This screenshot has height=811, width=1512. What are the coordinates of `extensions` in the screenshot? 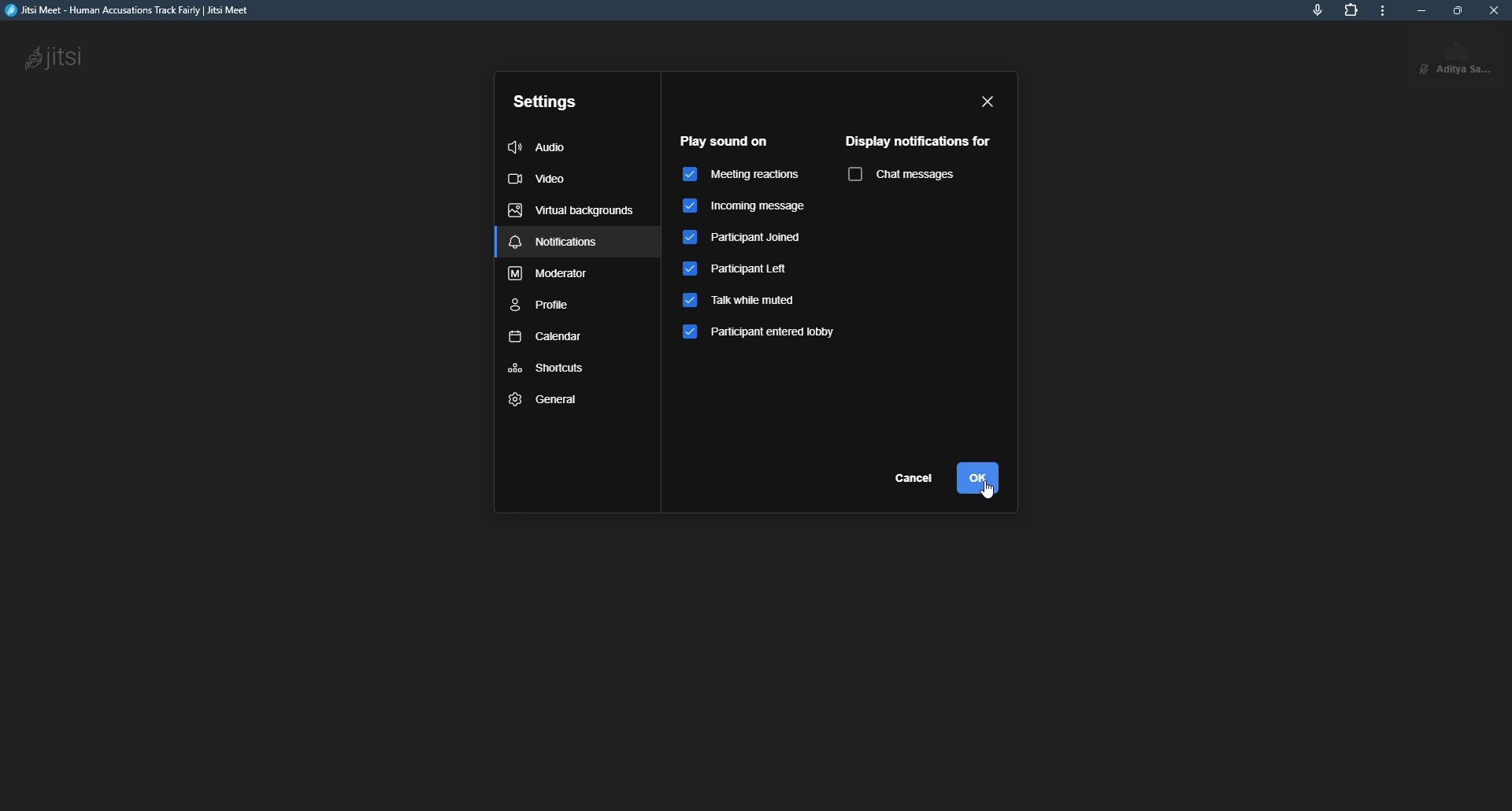 It's located at (1351, 10).